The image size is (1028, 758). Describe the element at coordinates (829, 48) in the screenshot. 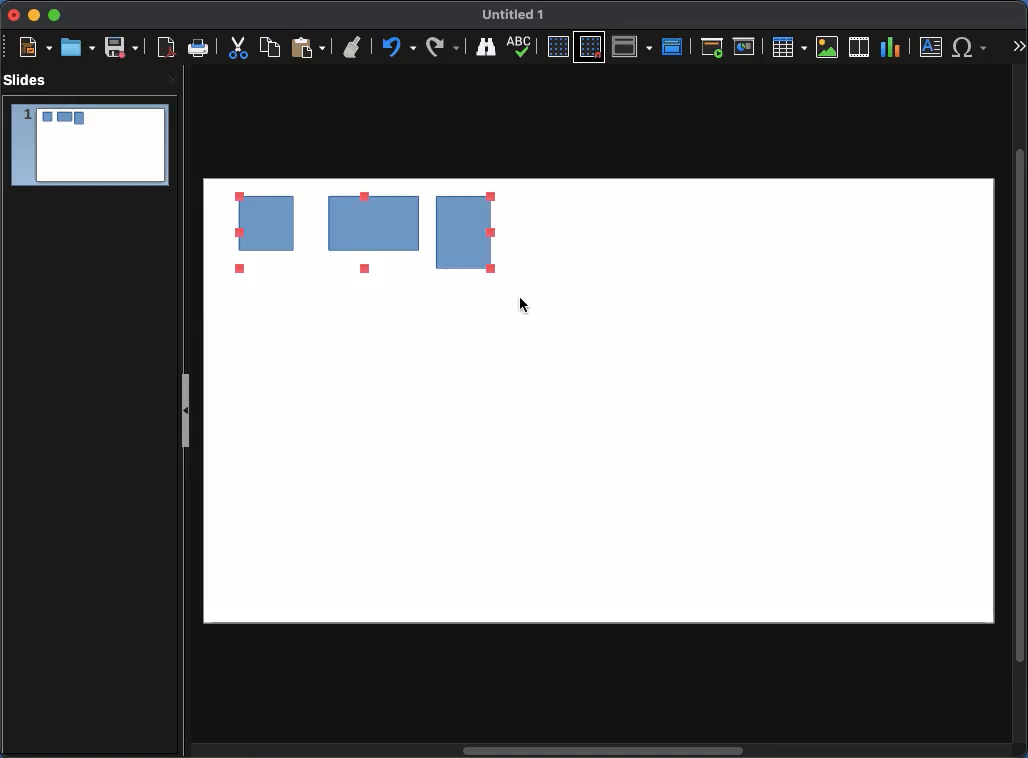

I see `Image` at that location.